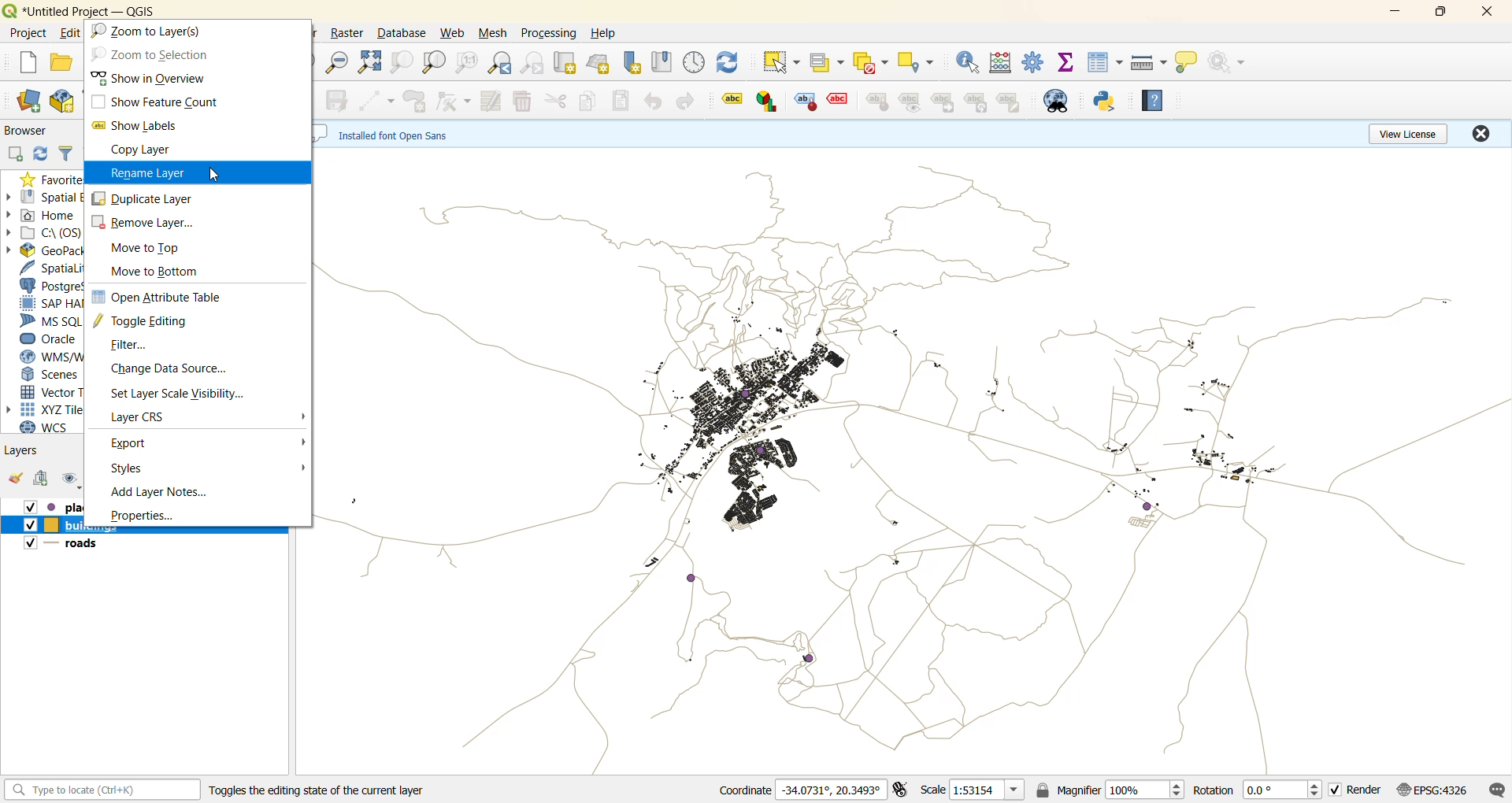 Image resolution: width=1512 pixels, height=803 pixels. What do you see at coordinates (1440, 789) in the screenshot?
I see `crs` at bounding box center [1440, 789].